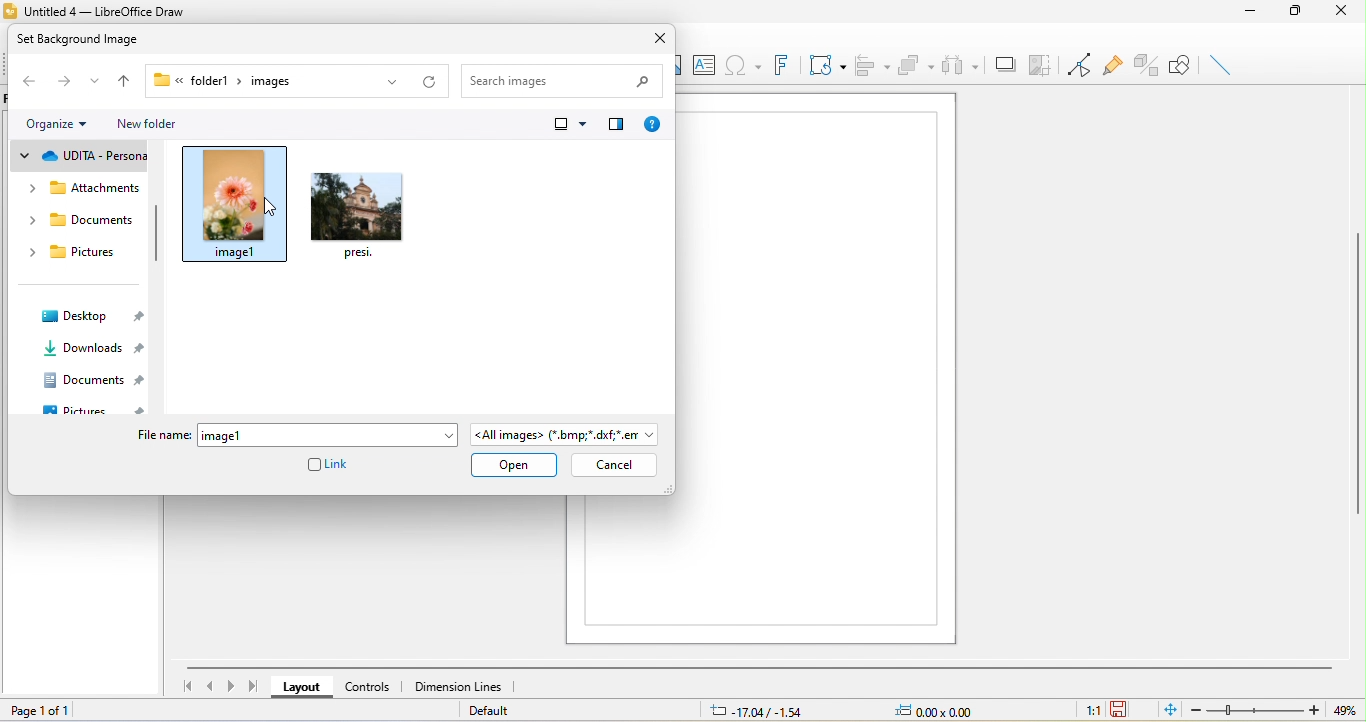  Describe the element at coordinates (72, 258) in the screenshot. I see `pictures` at that location.